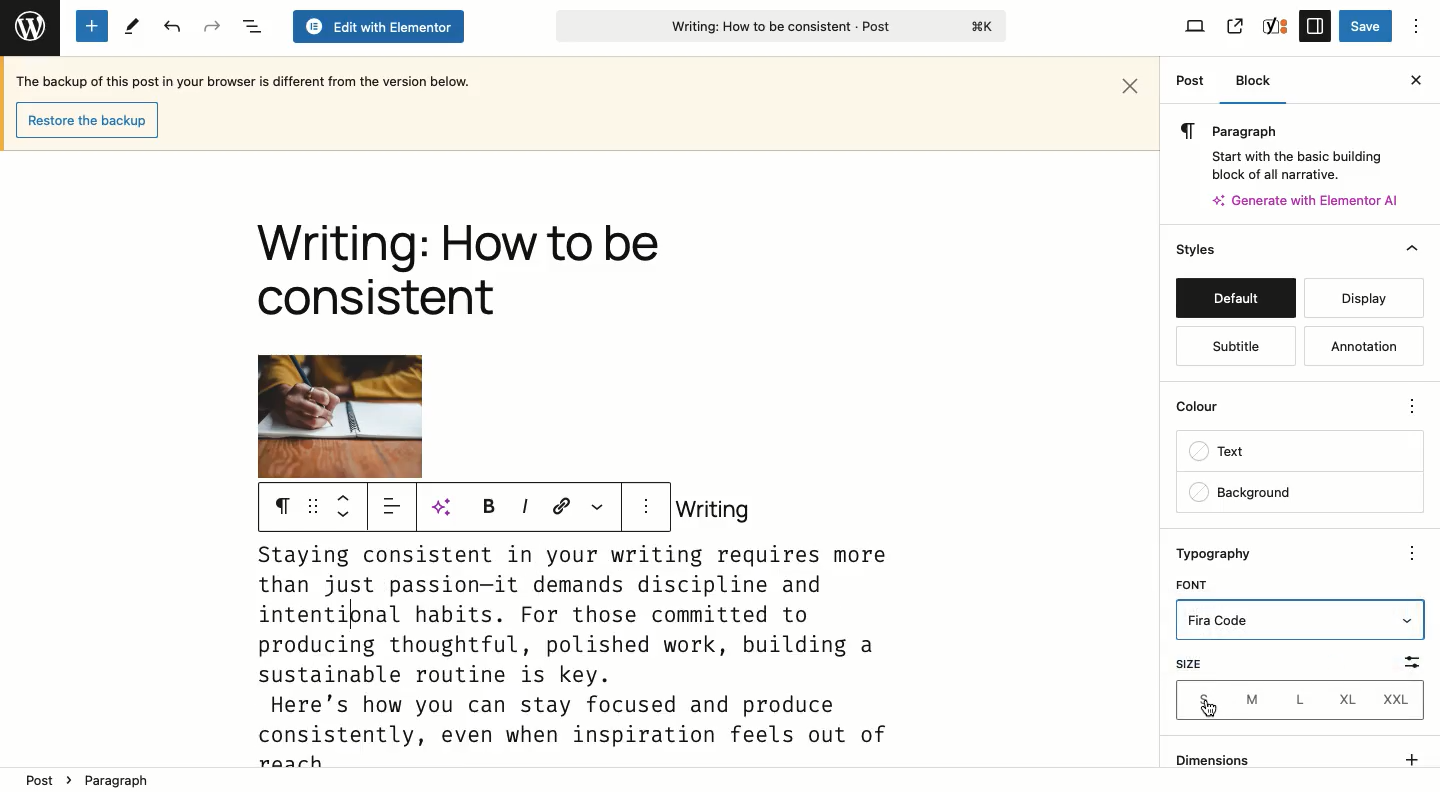  I want to click on Close, so click(1132, 83).